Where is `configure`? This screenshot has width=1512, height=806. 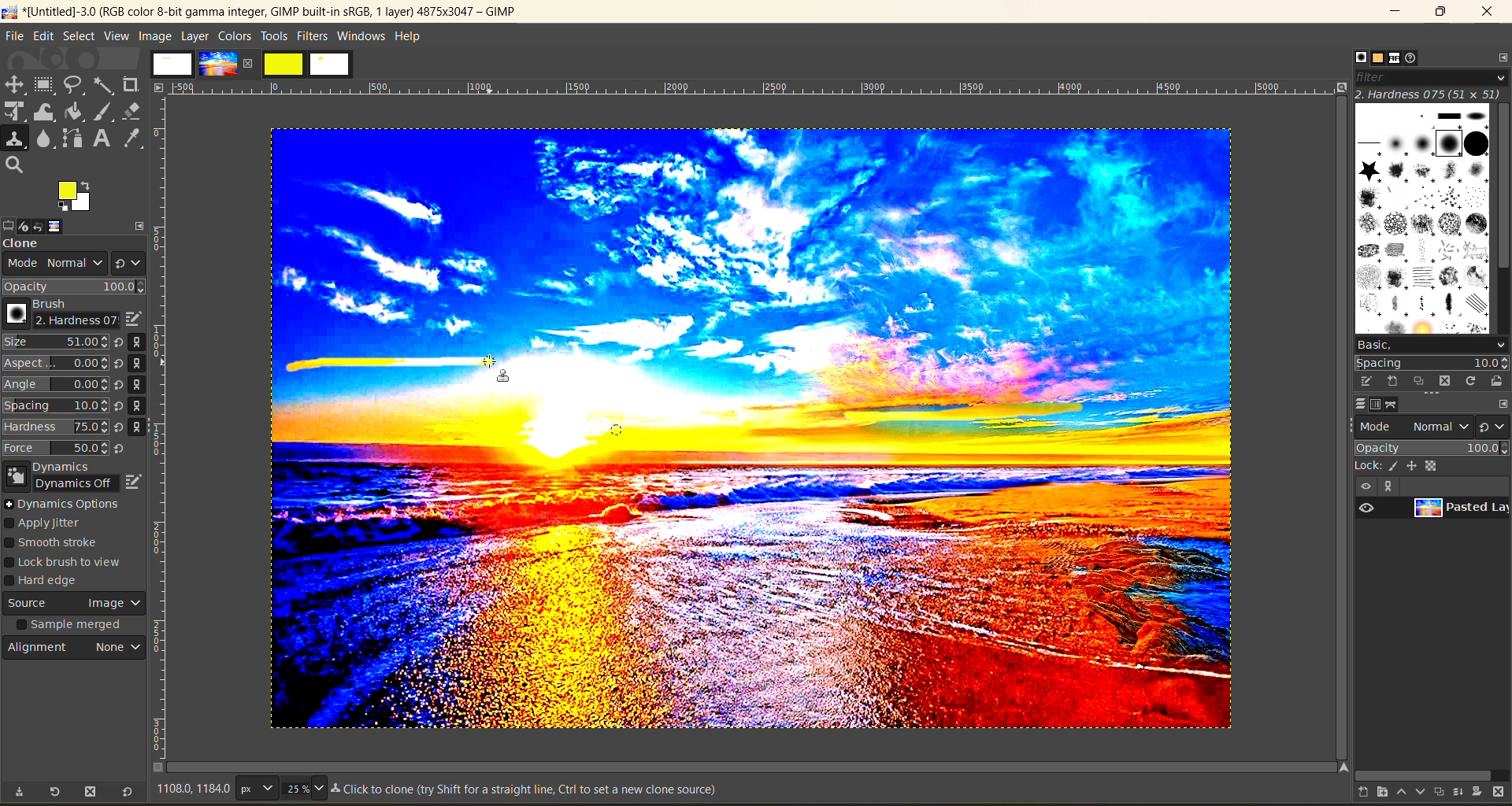
configure is located at coordinates (1499, 57).